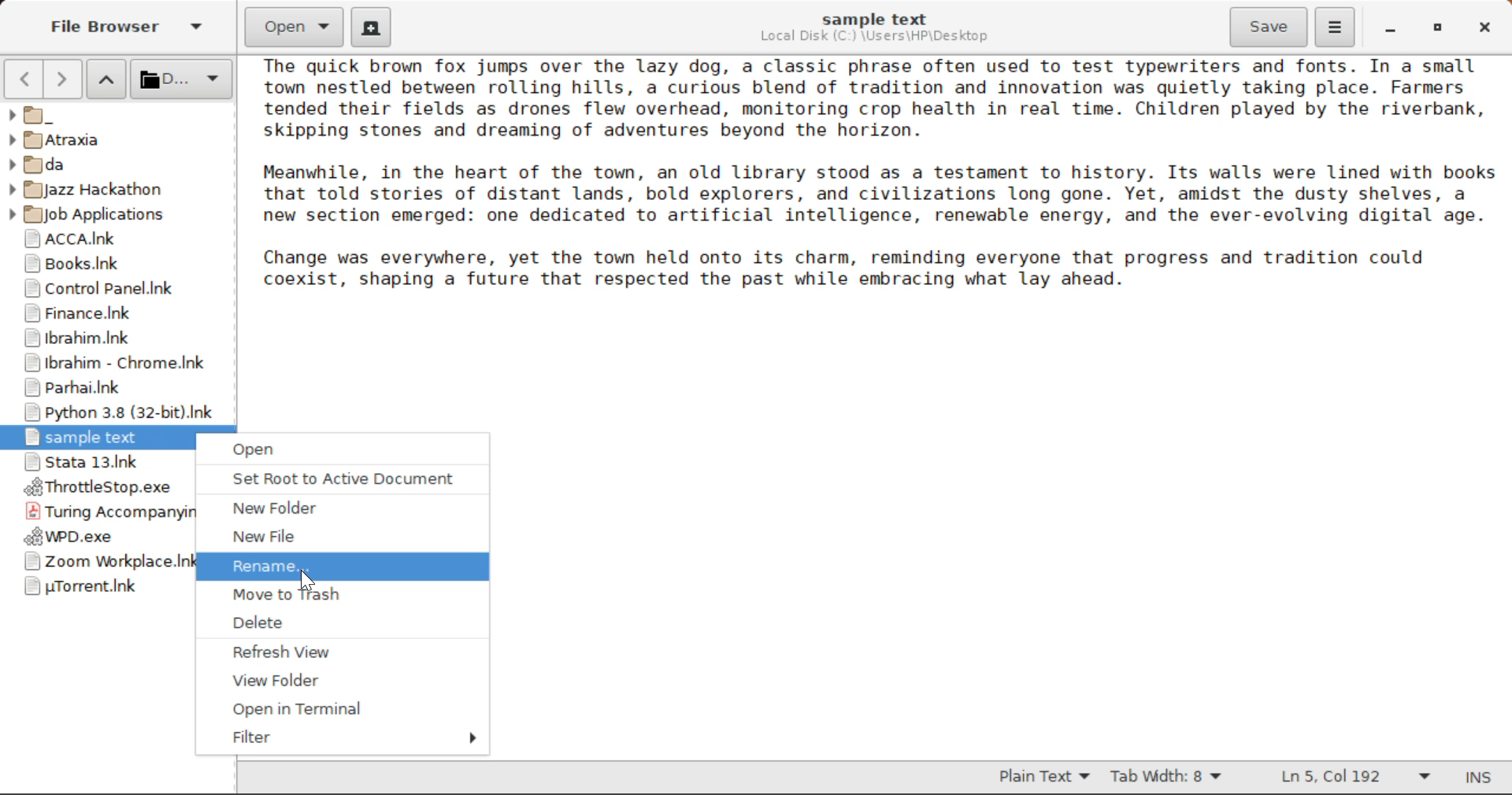  I want to click on Jazz Hackathon Folder, so click(105, 190).